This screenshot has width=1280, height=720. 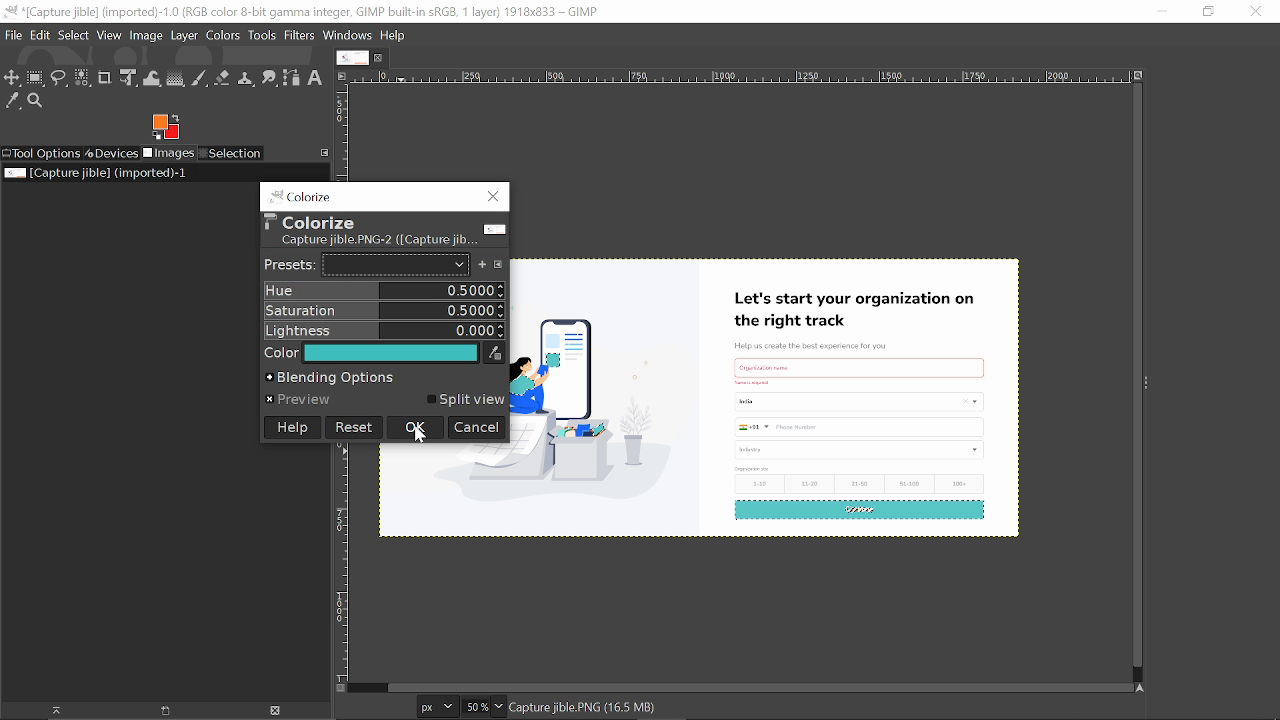 I want to click on image name, so click(x=628, y=708).